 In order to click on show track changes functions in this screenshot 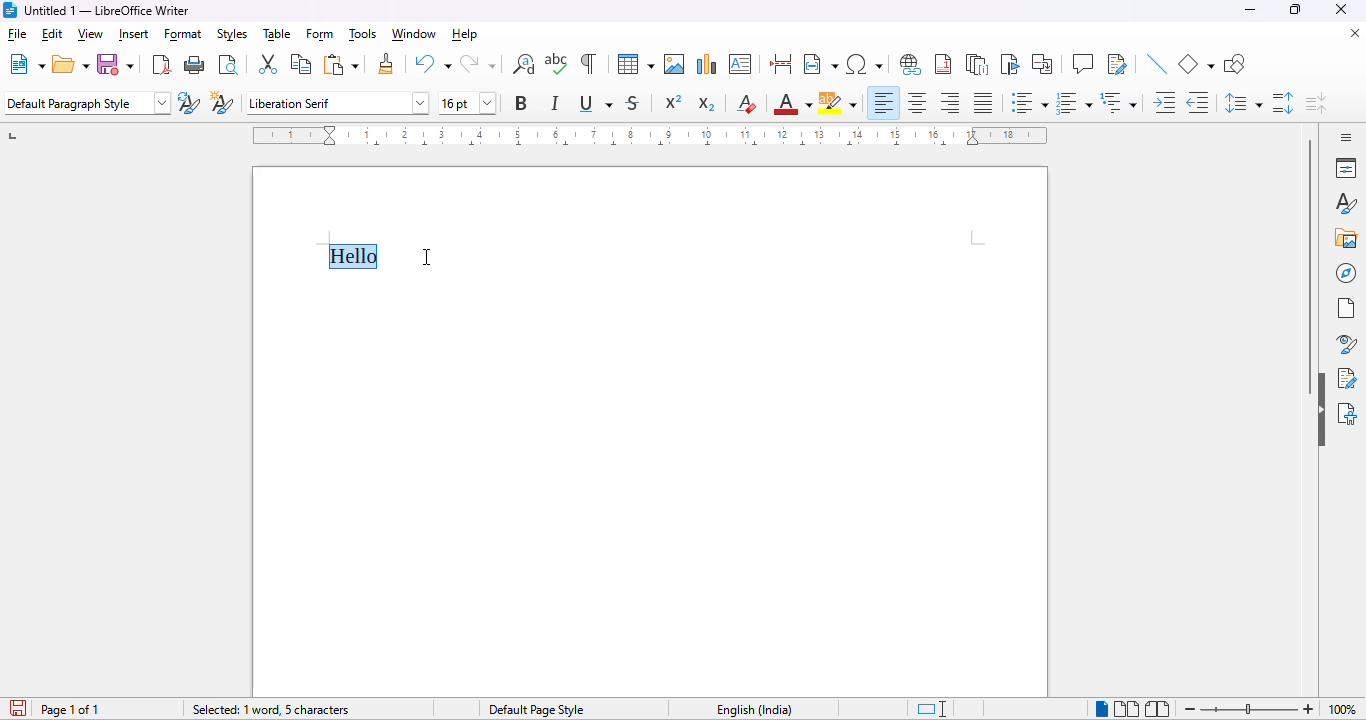, I will do `click(1118, 64)`.